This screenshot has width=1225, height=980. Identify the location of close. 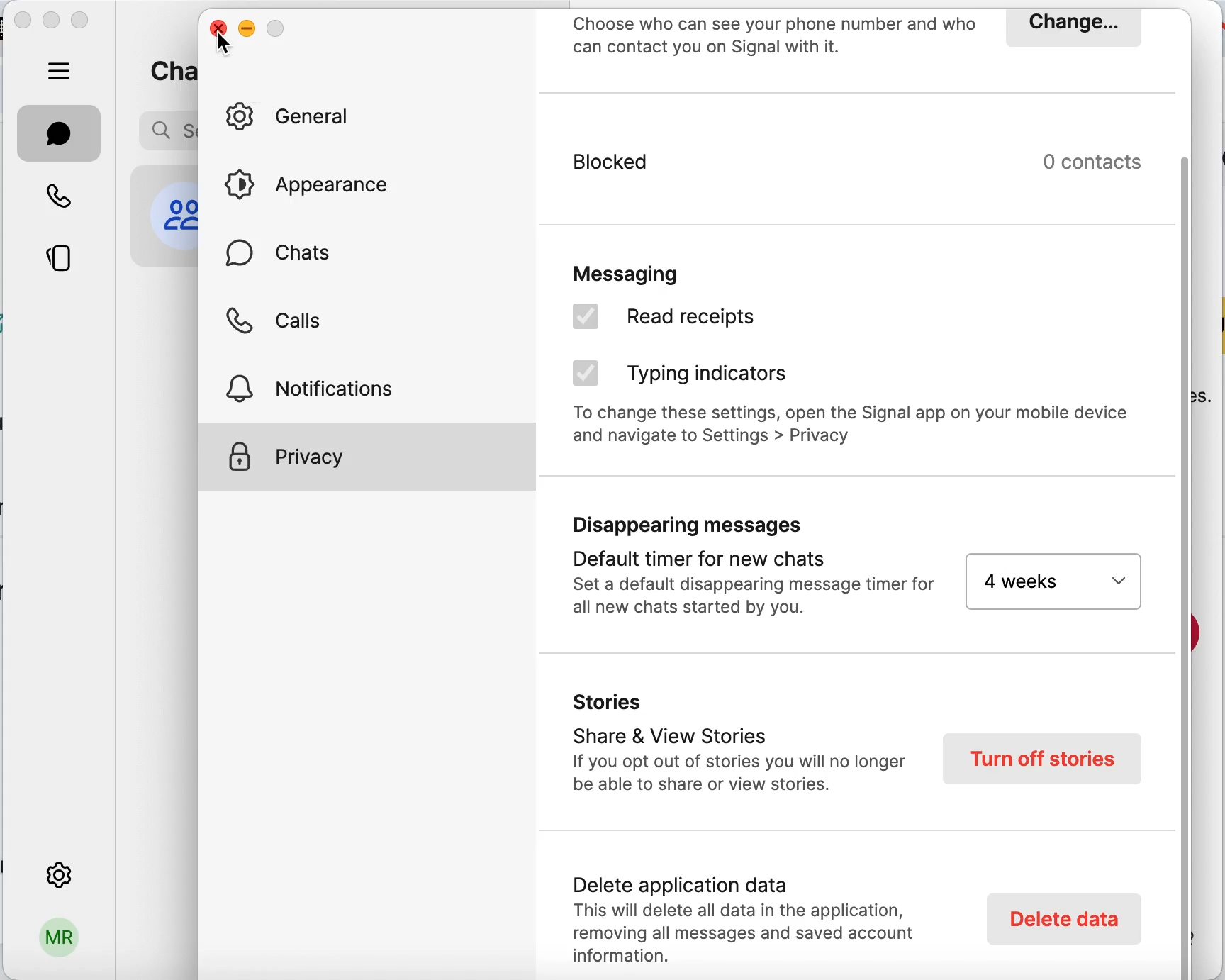
(23, 23).